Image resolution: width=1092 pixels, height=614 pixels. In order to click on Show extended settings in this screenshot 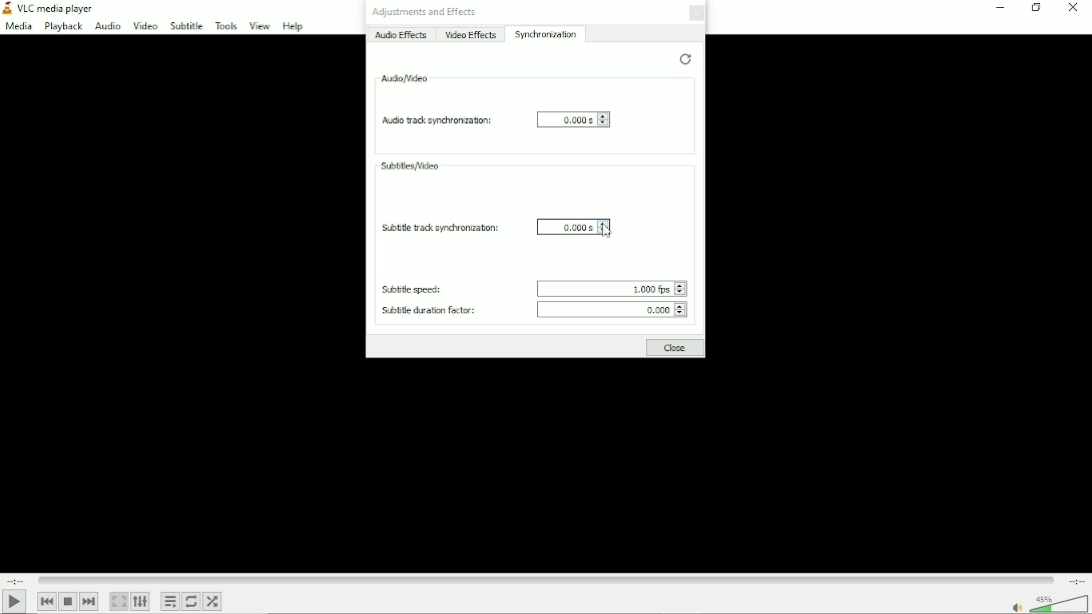, I will do `click(142, 602)`.